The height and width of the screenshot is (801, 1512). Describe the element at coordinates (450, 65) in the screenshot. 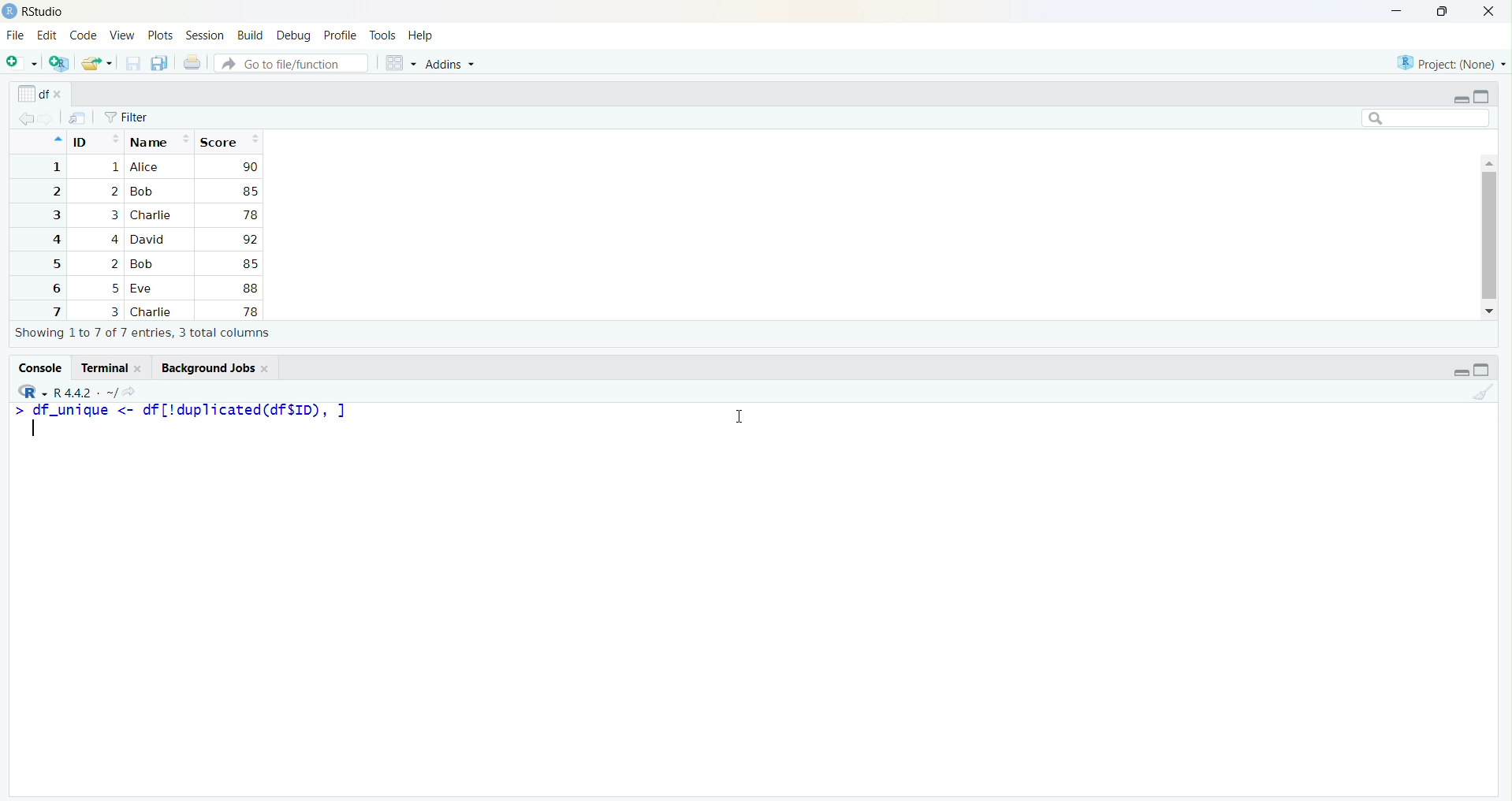

I see `Addins` at that location.